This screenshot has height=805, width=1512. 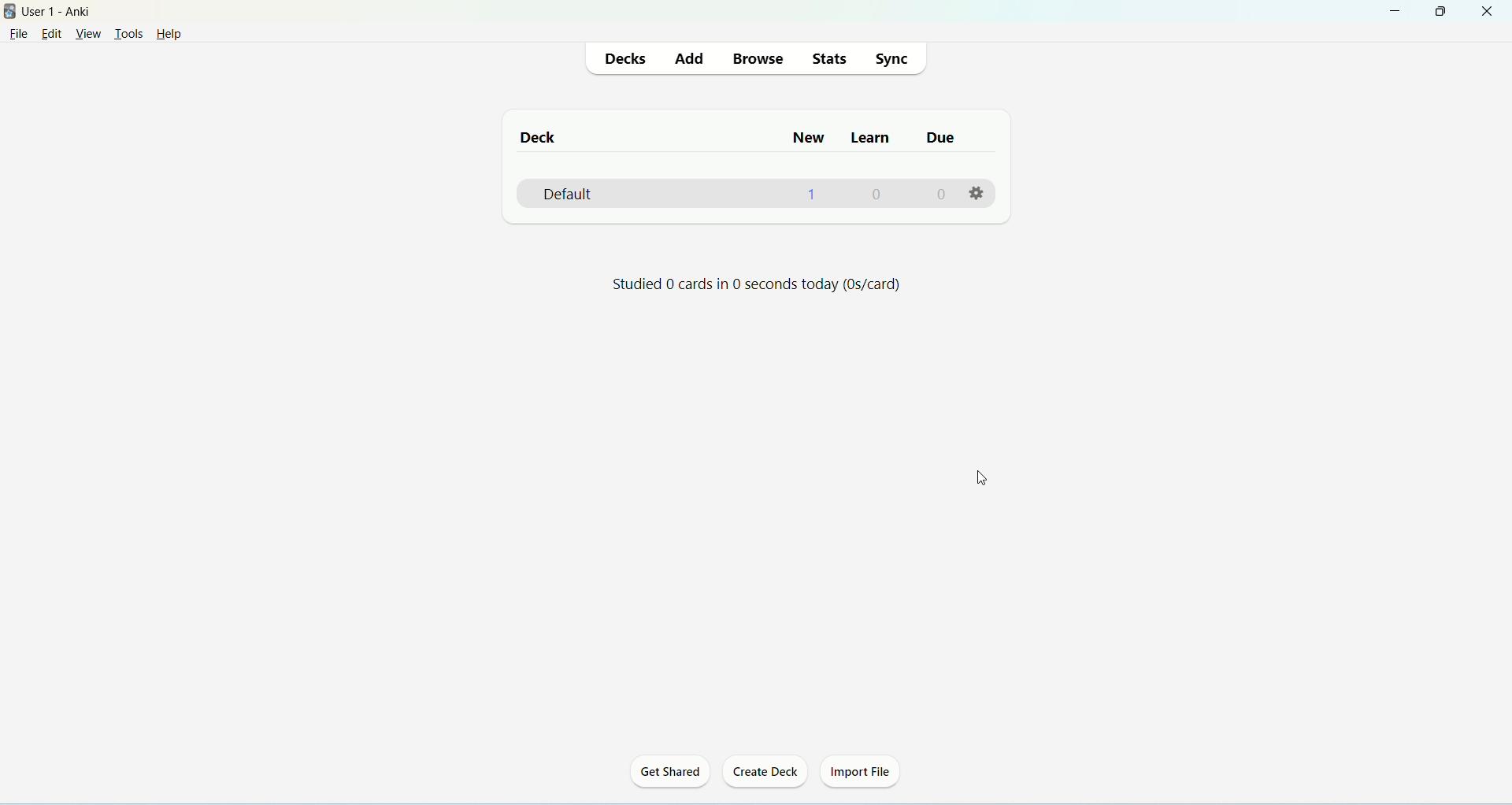 What do you see at coordinates (812, 137) in the screenshot?
I see `new` at bounding box center [812, 137].